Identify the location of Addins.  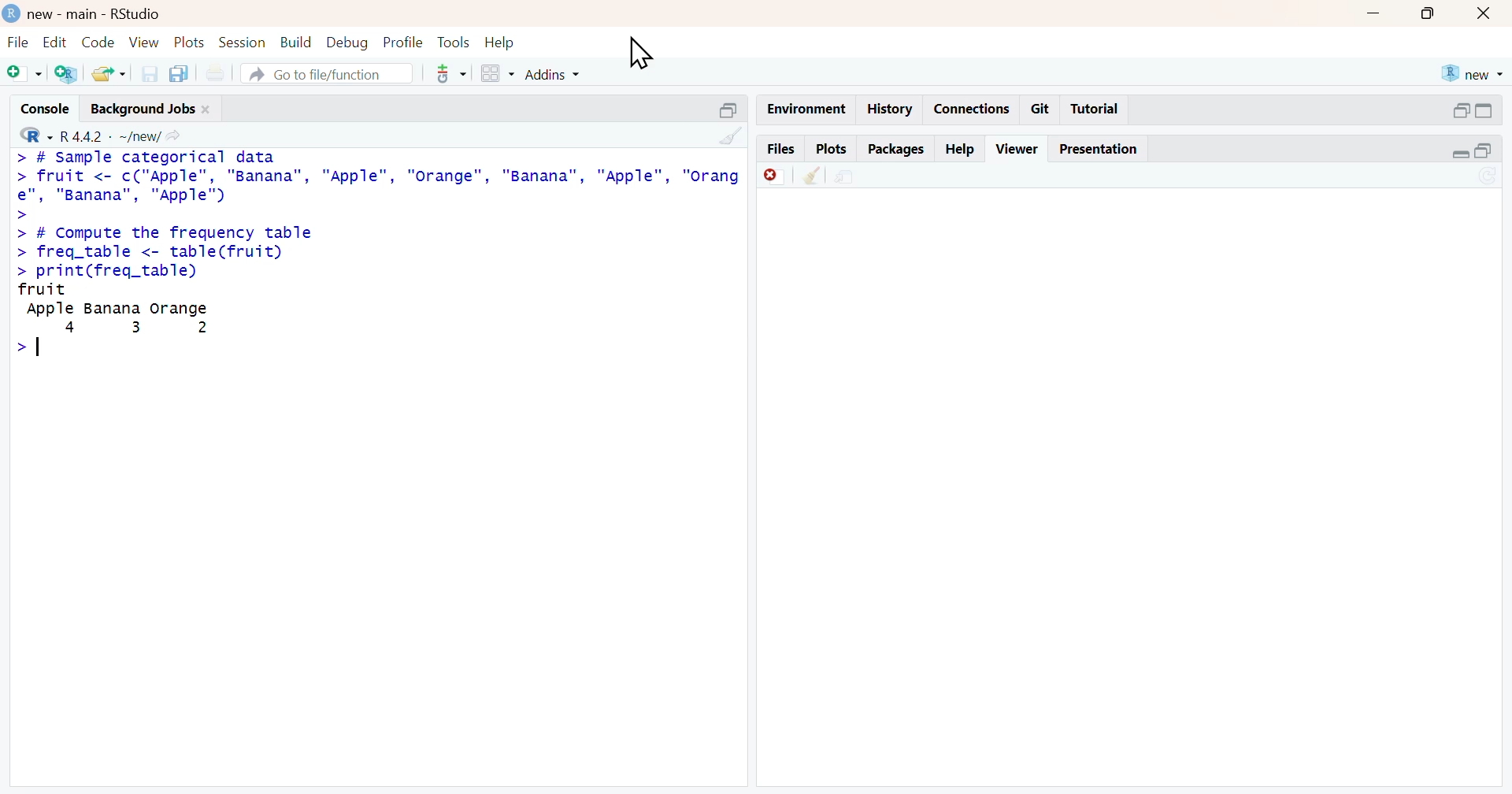
(552, 74).